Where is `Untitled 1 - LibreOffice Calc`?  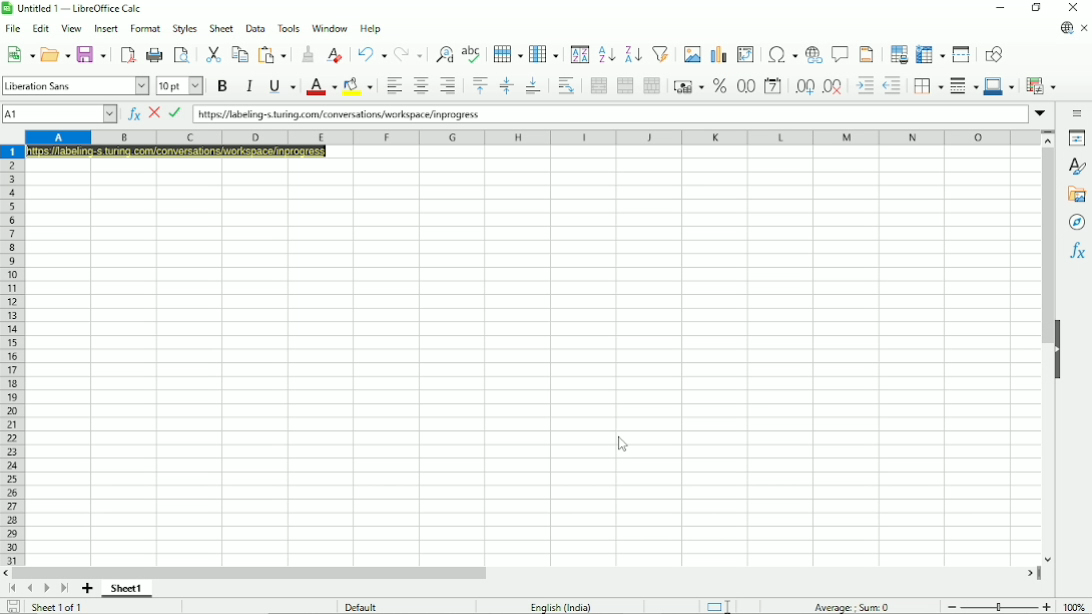
Untitled 1 - LibreOffice Calc is located at coordinates (76, 9).